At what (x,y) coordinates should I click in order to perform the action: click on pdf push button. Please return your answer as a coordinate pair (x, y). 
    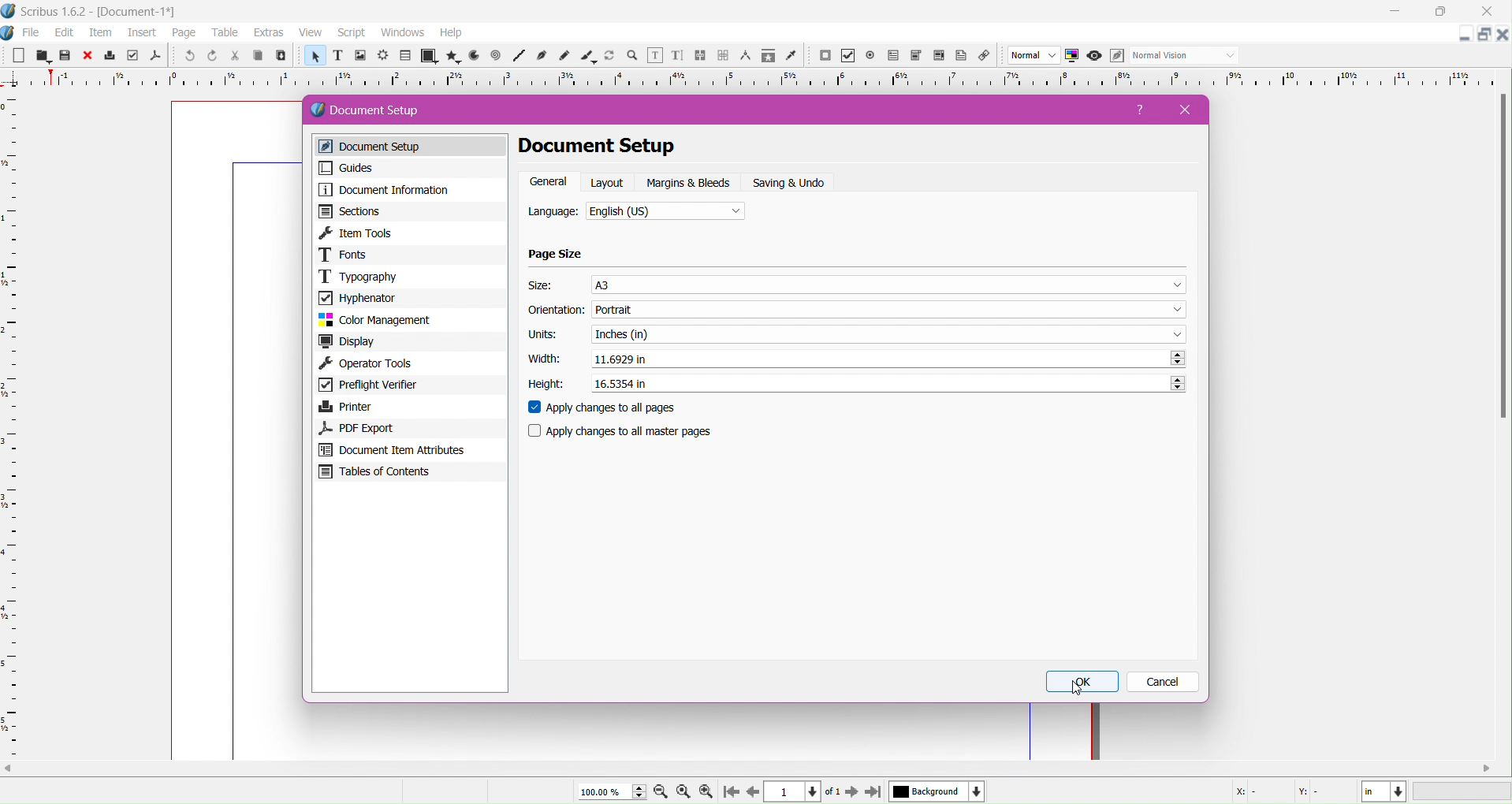
    Looking at the image, I should click on (825, 56).